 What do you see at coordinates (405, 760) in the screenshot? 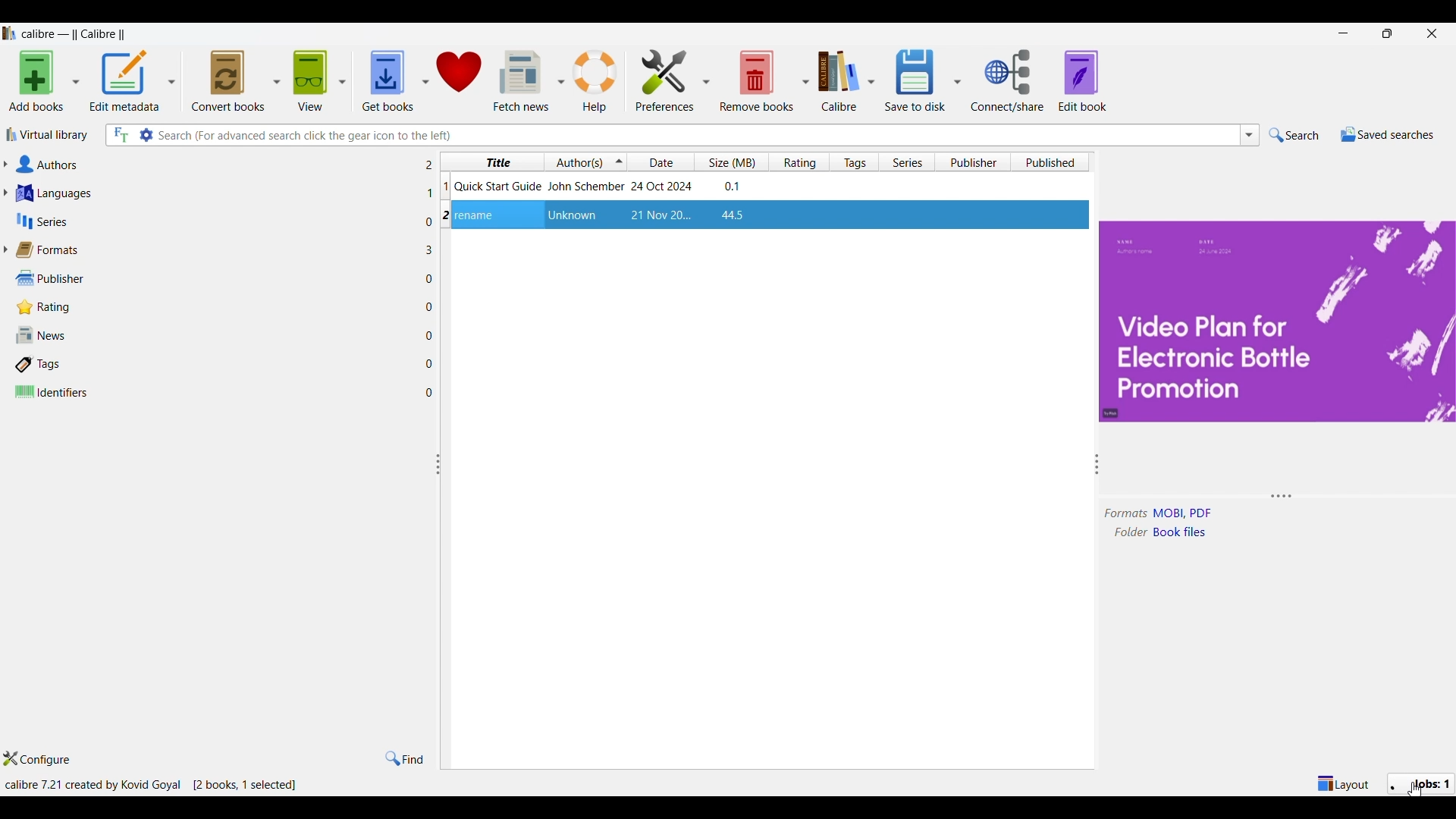
I see `Find` at bounding box center [405, 760].